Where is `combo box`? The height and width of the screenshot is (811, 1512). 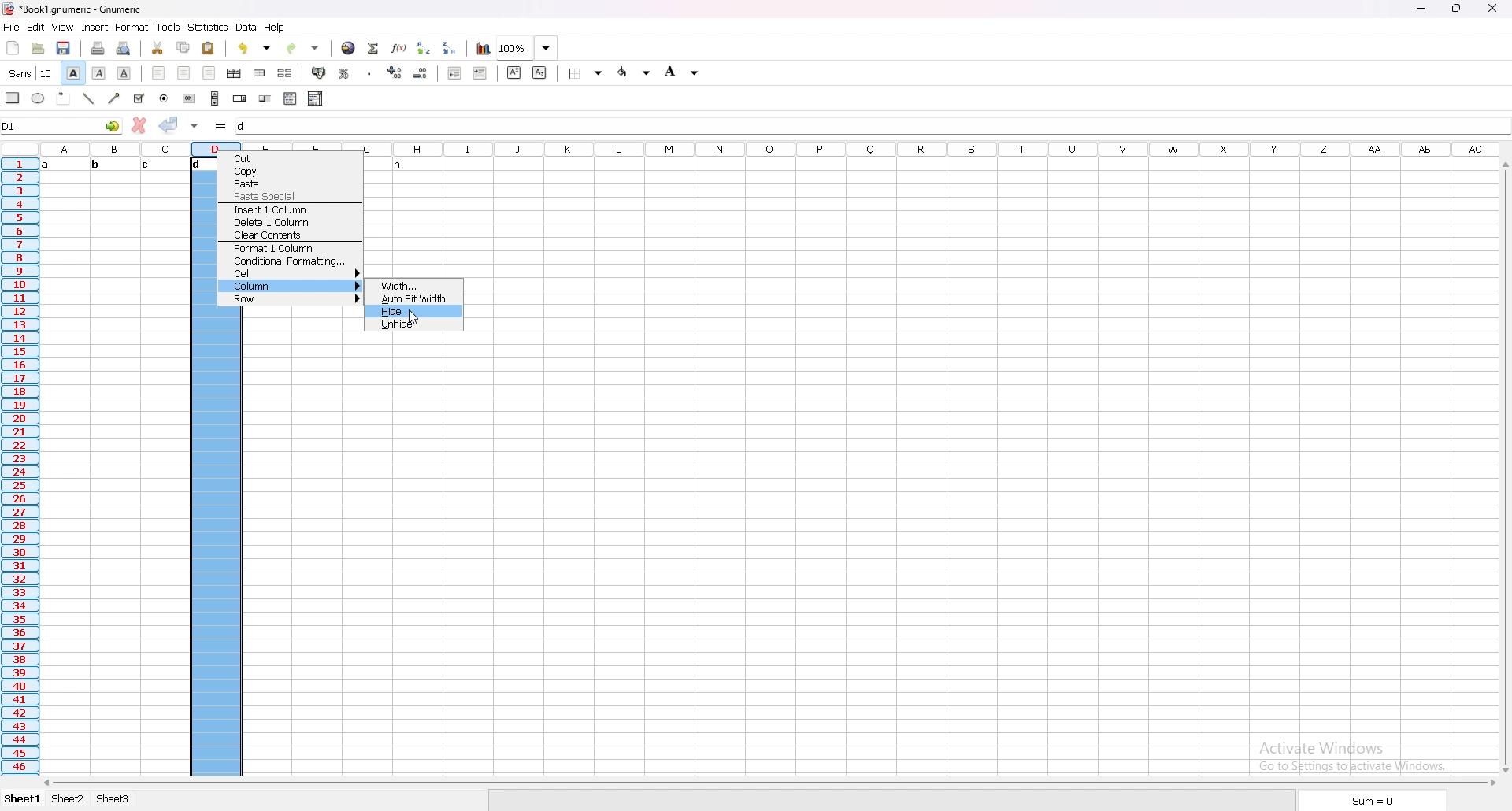
combo box is located at coordinates (317, 98).